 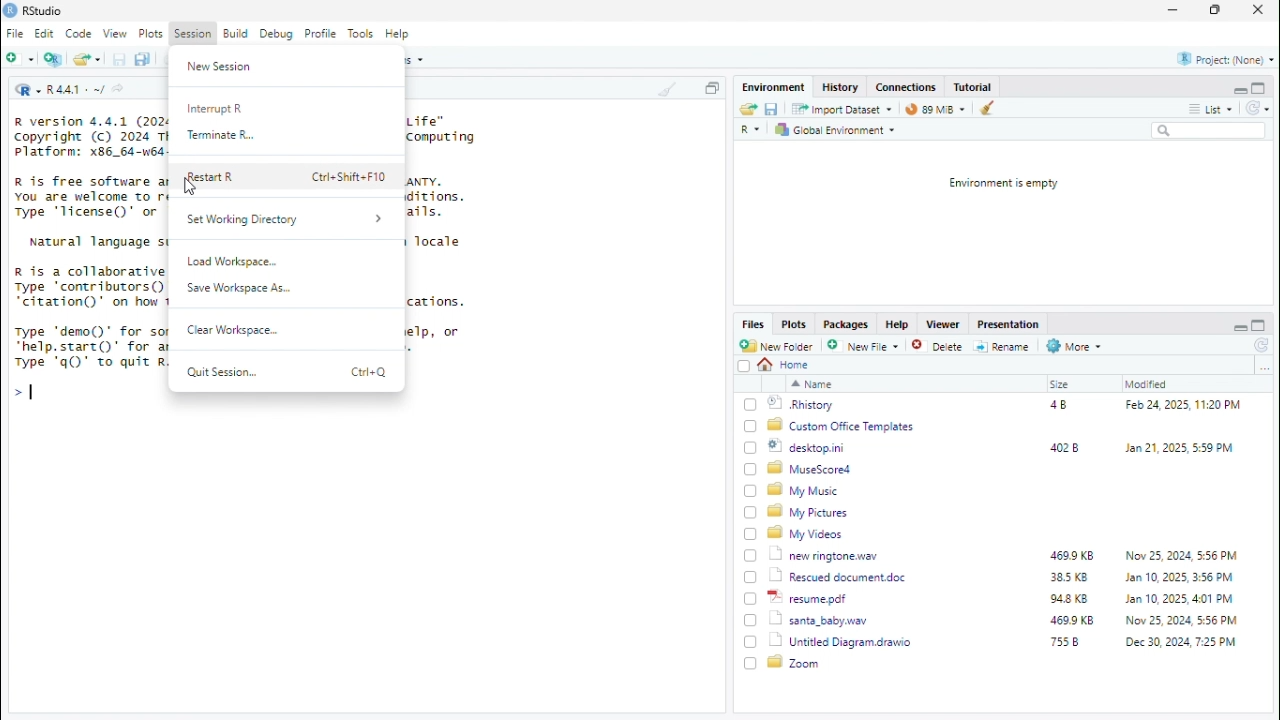 What do you see at coordinates (795, 325) in the screenshot?
I see `Plots` at bounding box center [795, 325].